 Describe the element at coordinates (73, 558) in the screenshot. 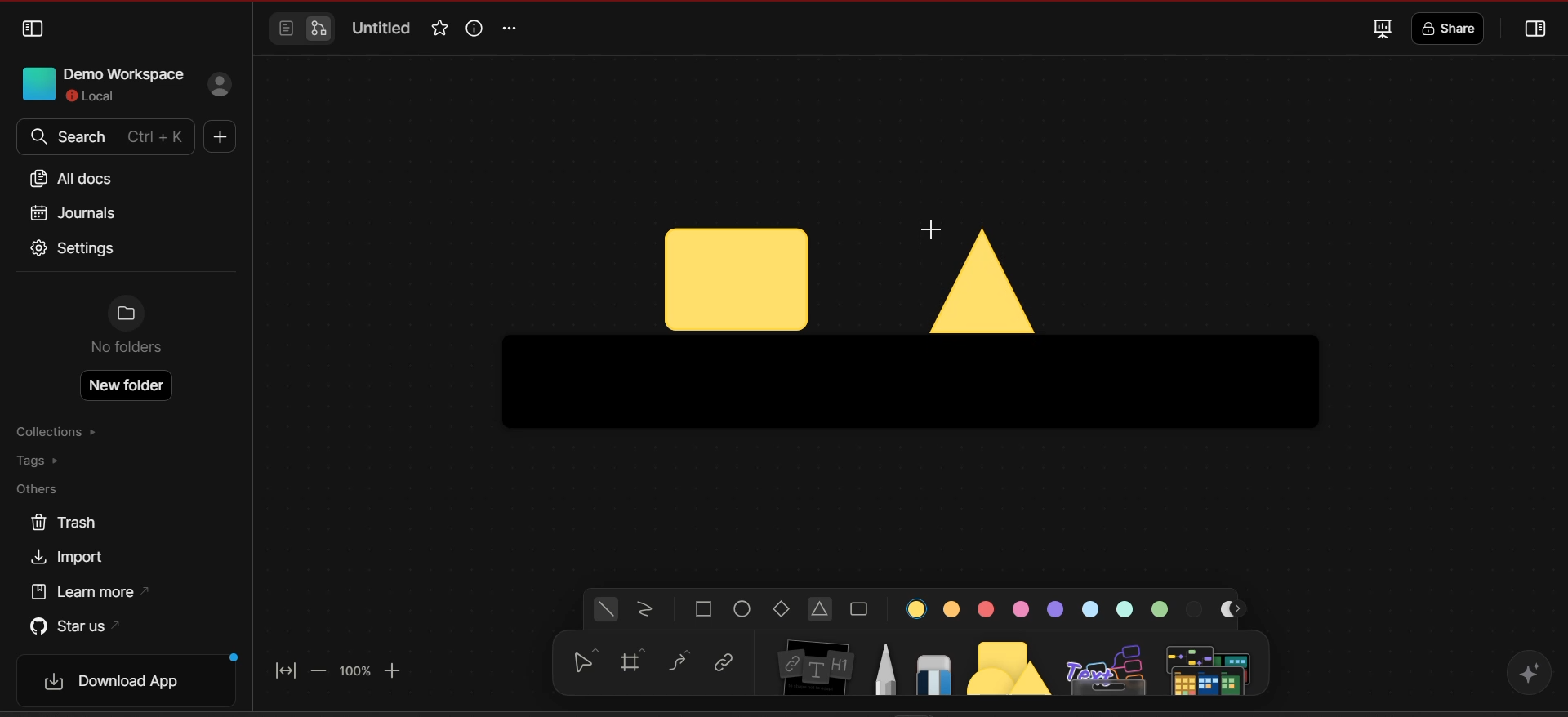

I see `import` at that location.